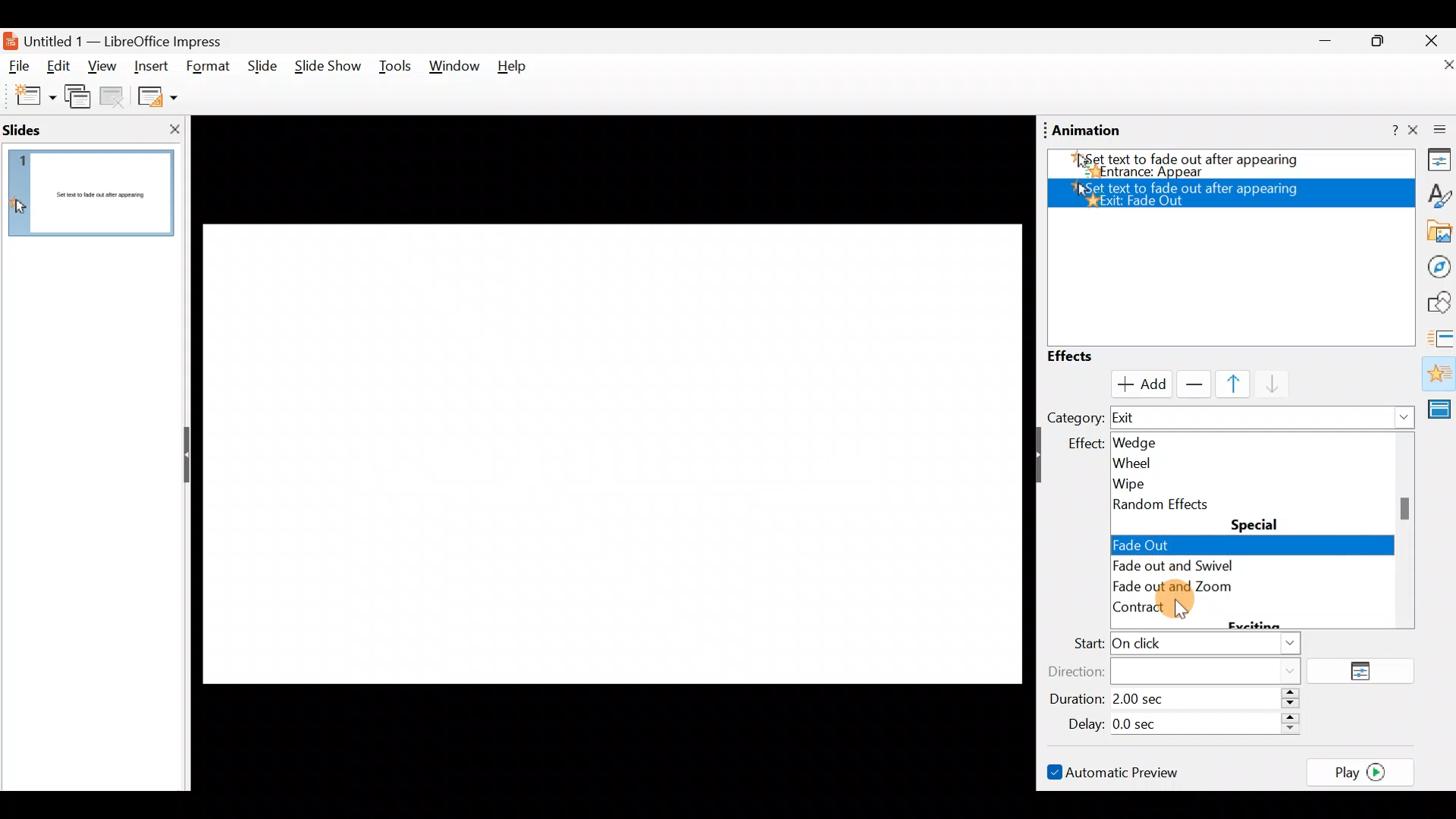 The height and width of the screenshot is (819, 1456). What do you see at coordinates (115, 99) in the screenshot?
I see `Delete slide` at bounding box center [115, 99].